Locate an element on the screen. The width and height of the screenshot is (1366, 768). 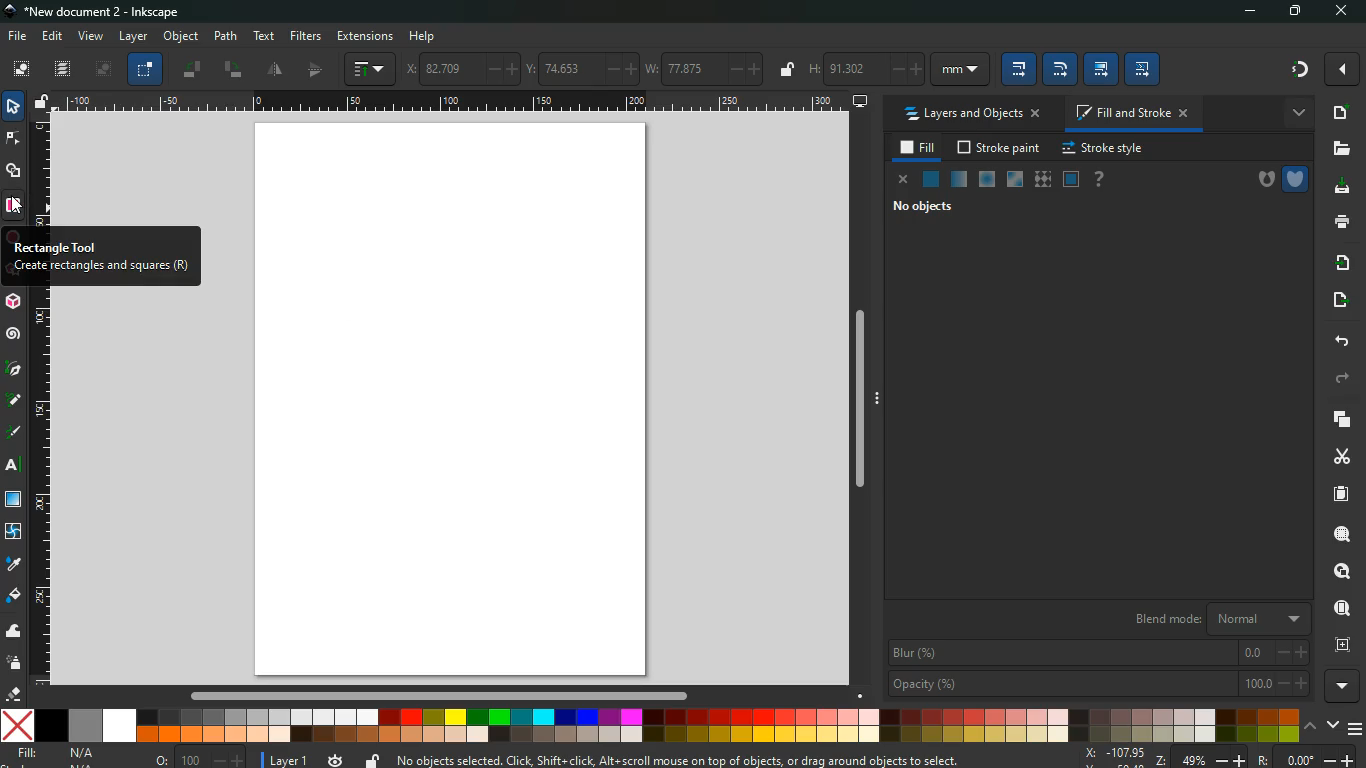
paper is located at coordinates (1340, 494).